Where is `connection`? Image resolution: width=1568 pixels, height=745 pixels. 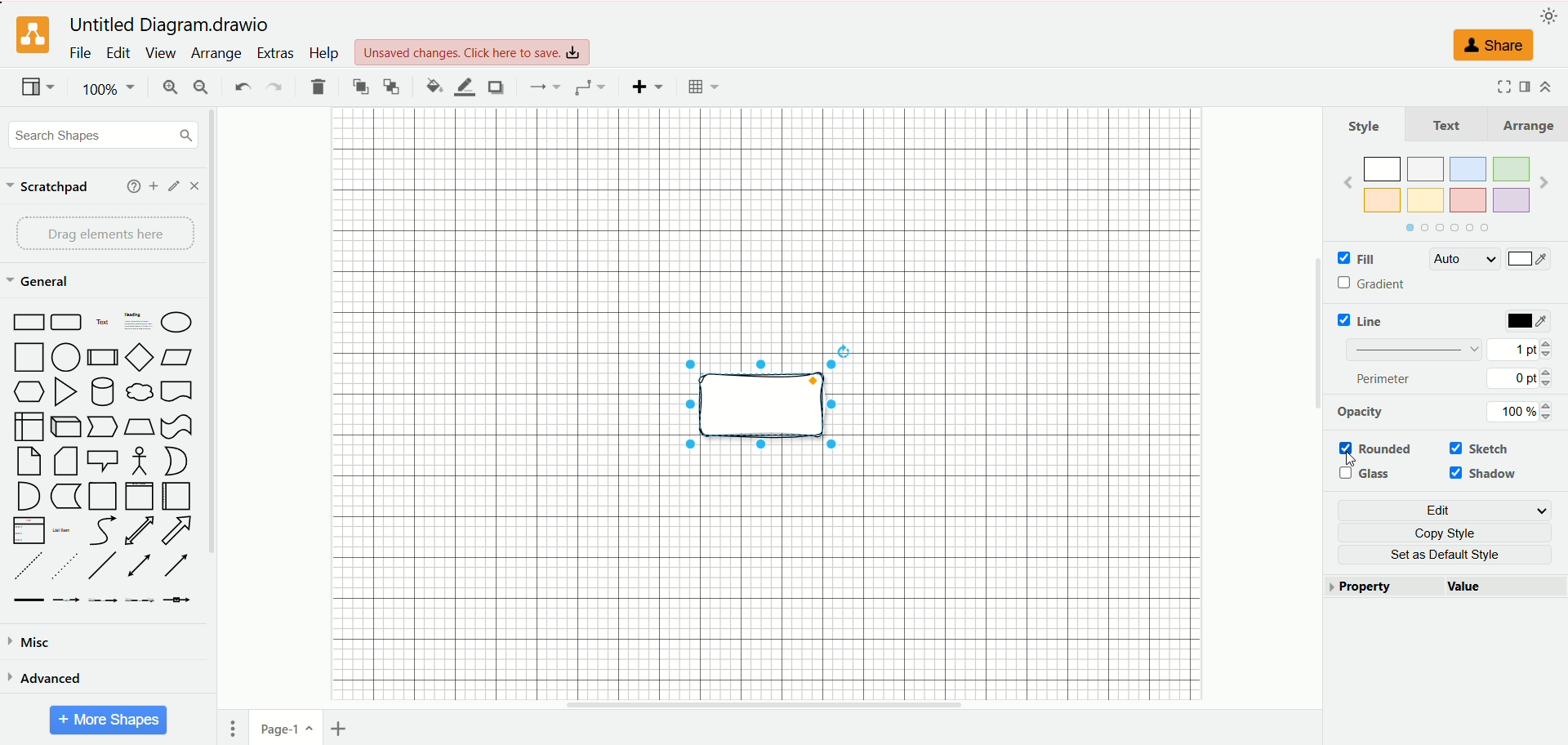
connection is located at coordinates (542, 87).